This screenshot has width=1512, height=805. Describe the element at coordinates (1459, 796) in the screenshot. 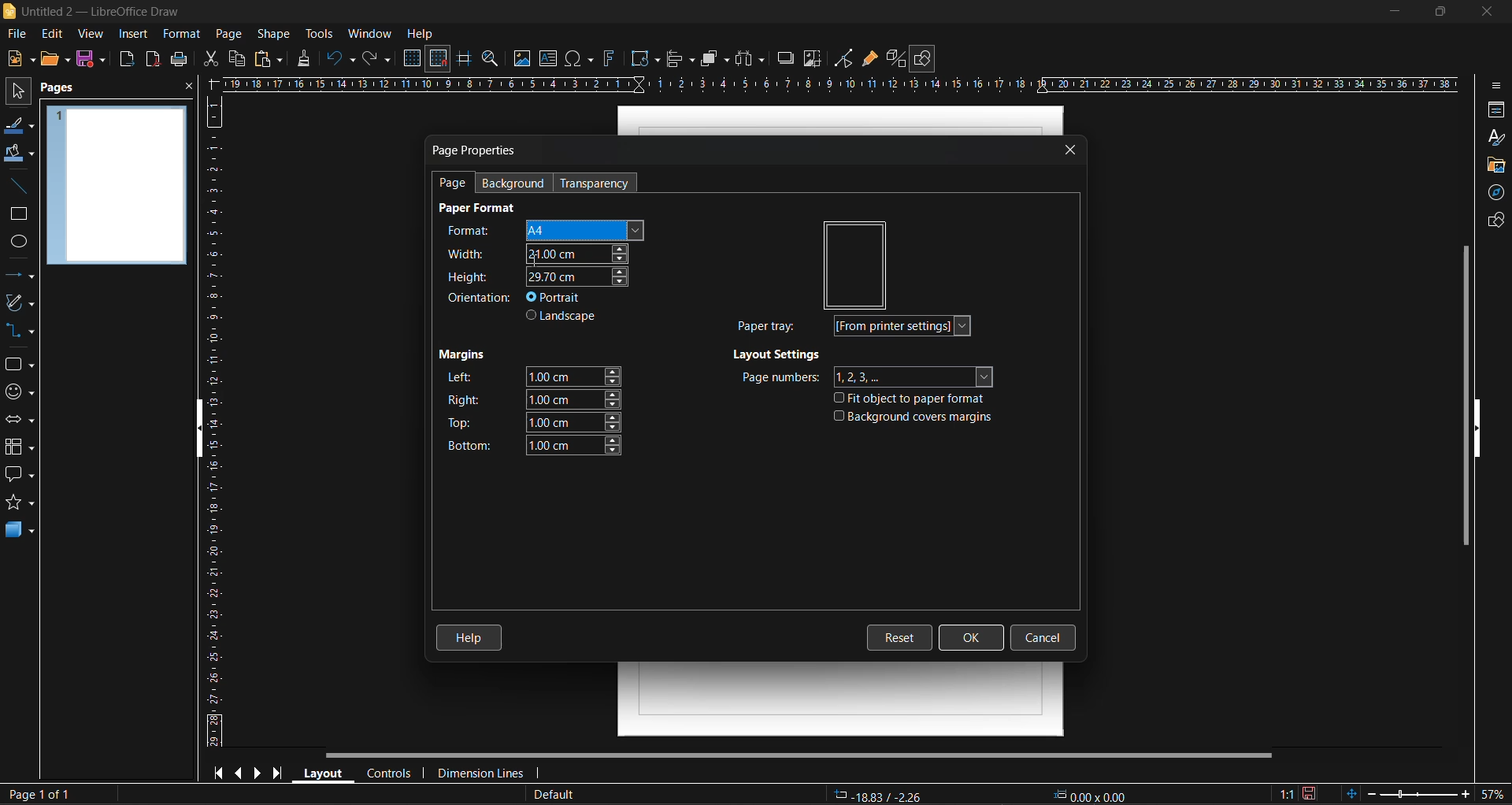

I see `zoom in ` at that location.